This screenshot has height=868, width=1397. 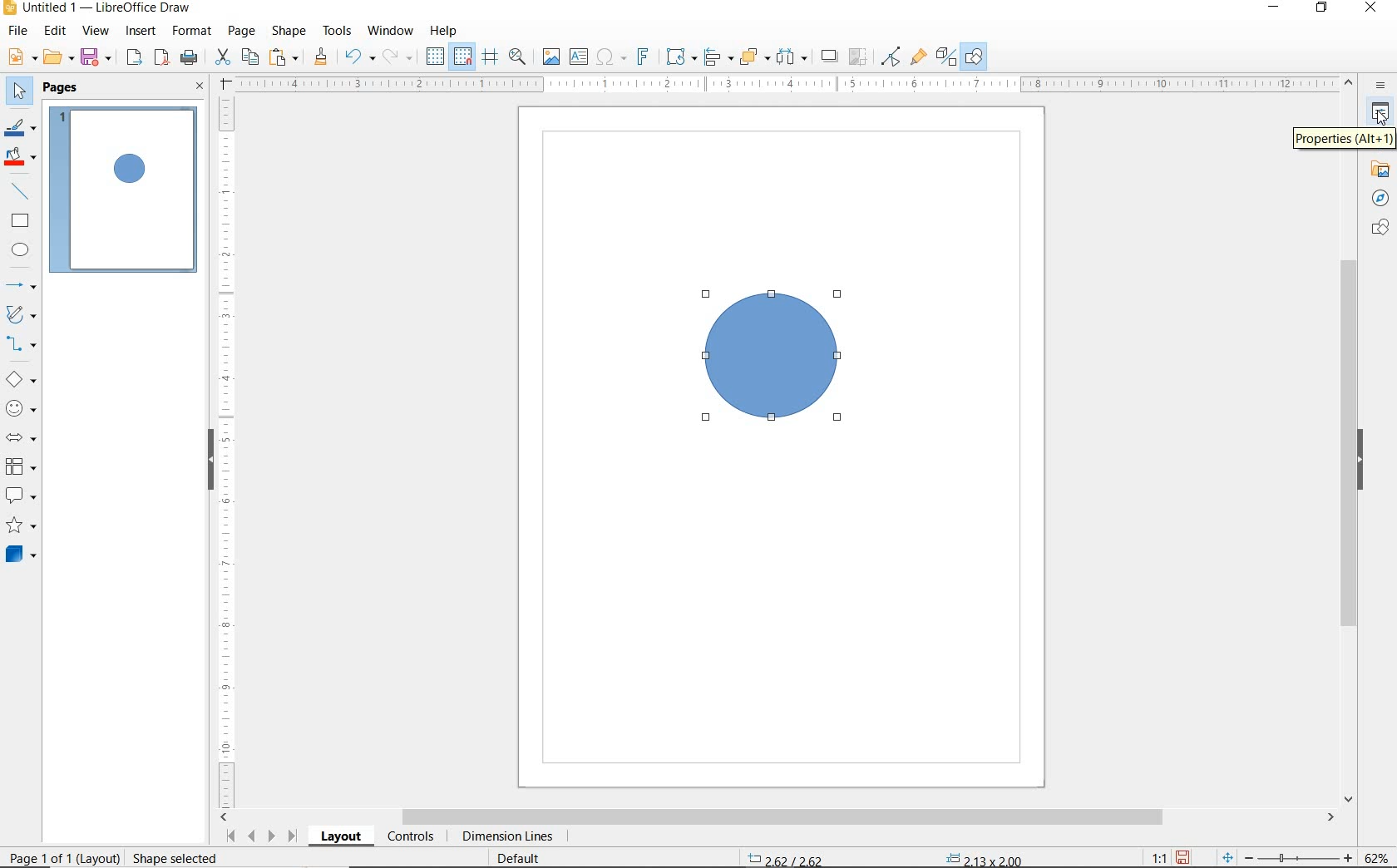 I want to click on FILE, so click(x=21, y=31).